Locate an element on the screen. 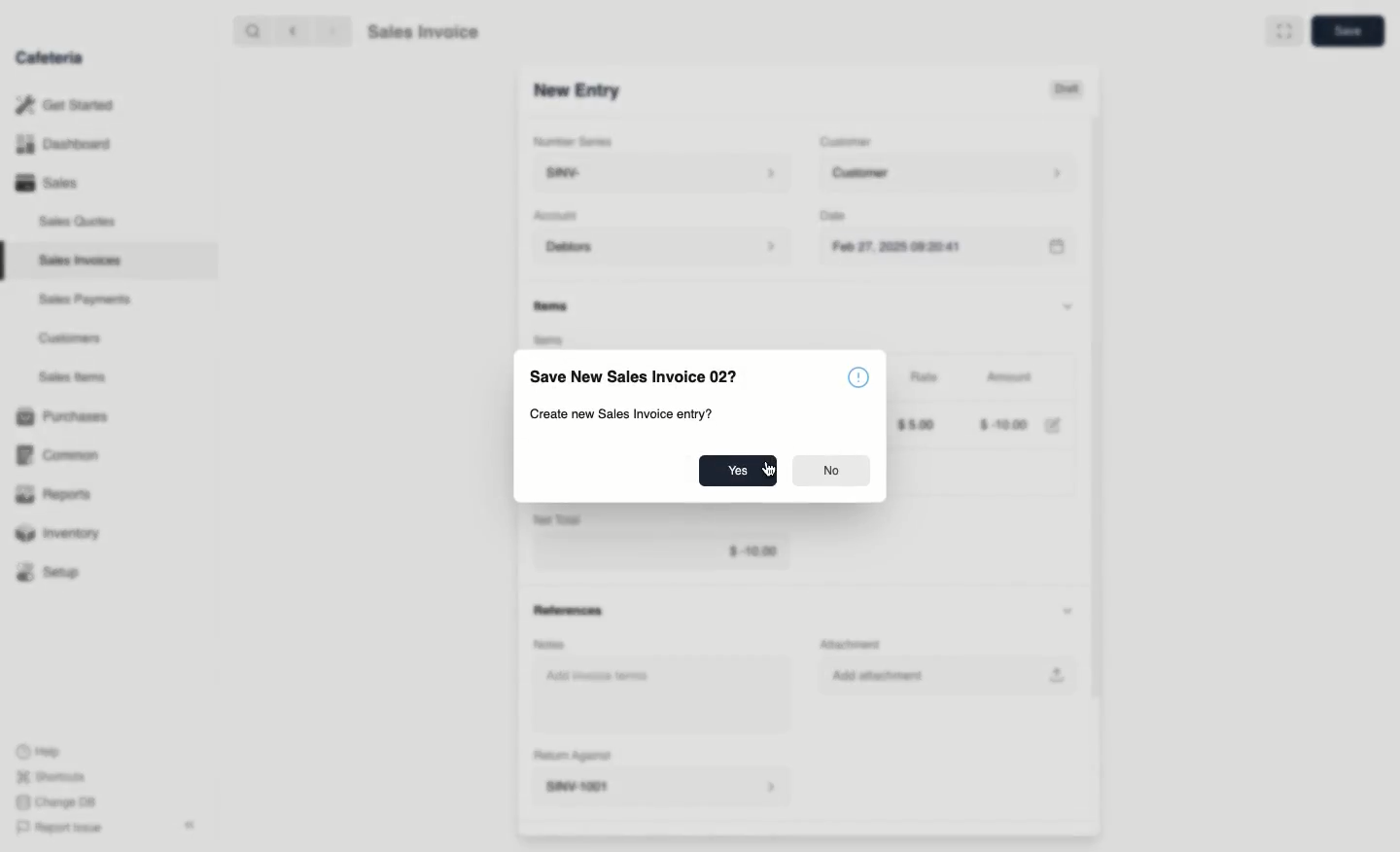 Image resolution: width=1400 pixels, height=852 pixels. ‘Common is located at coordinates (58, 454).